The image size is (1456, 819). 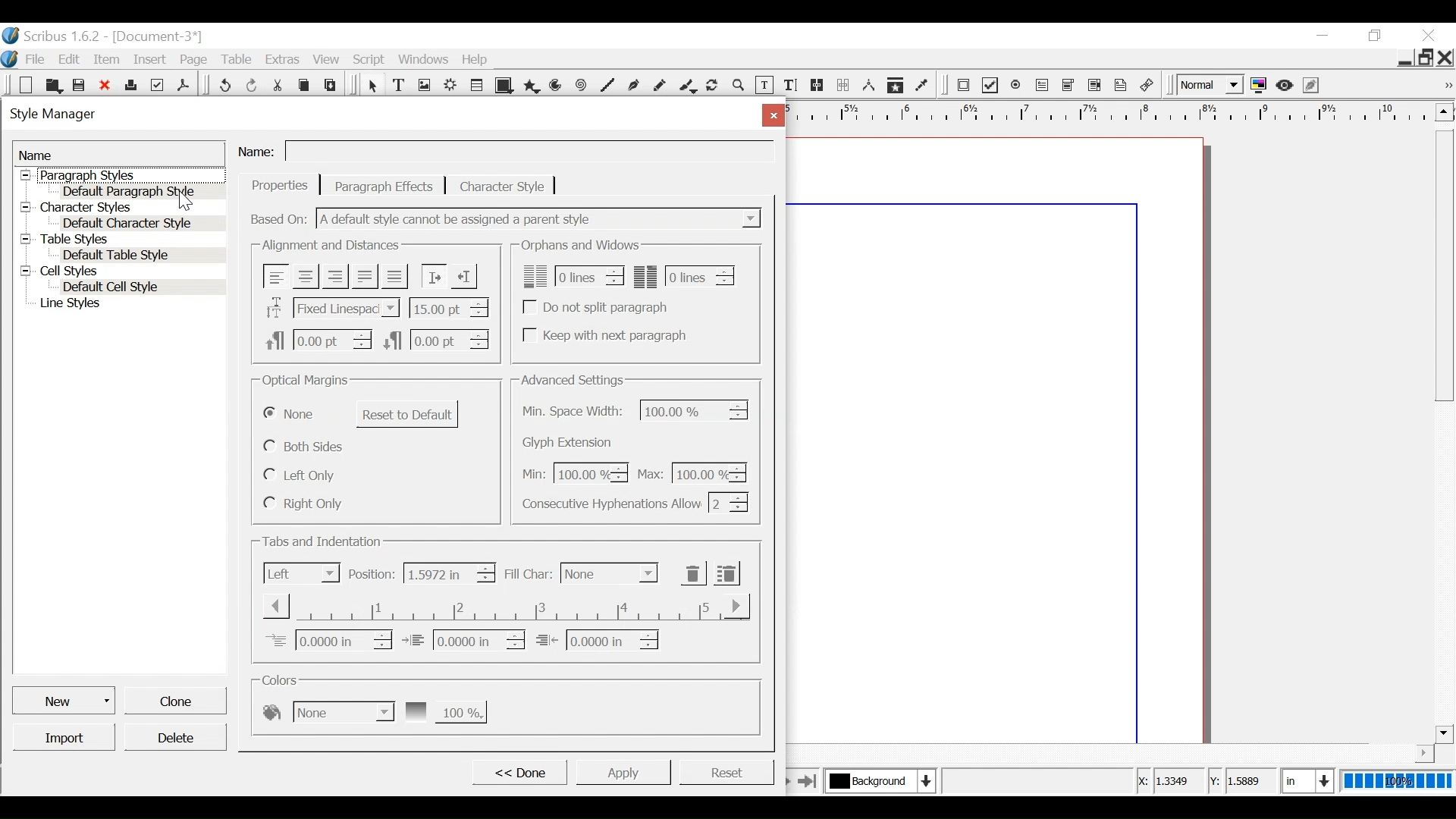 I want to click on Minimum Space Width, so click(x=575, y=412).